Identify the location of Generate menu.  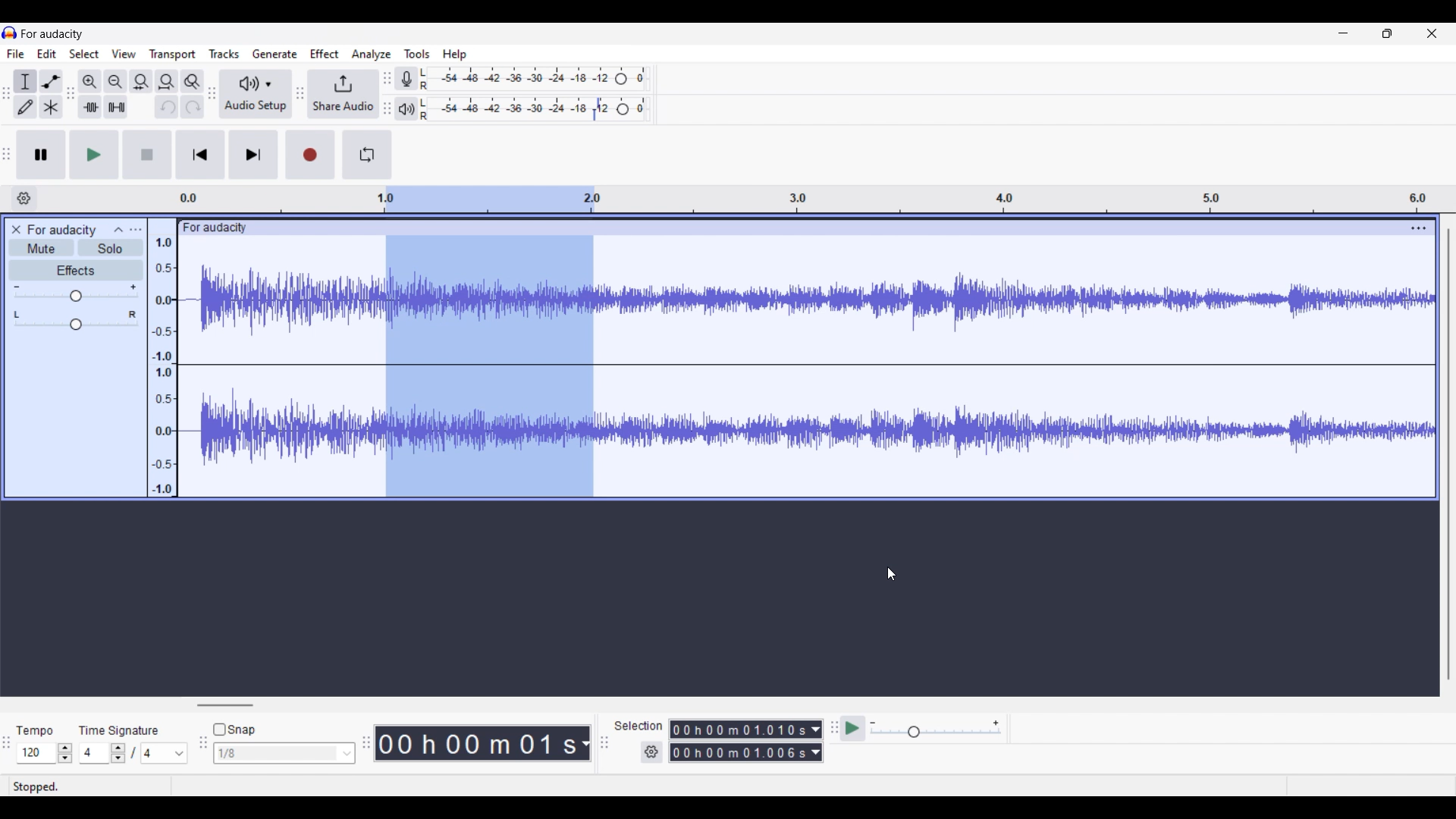
(275, 54).